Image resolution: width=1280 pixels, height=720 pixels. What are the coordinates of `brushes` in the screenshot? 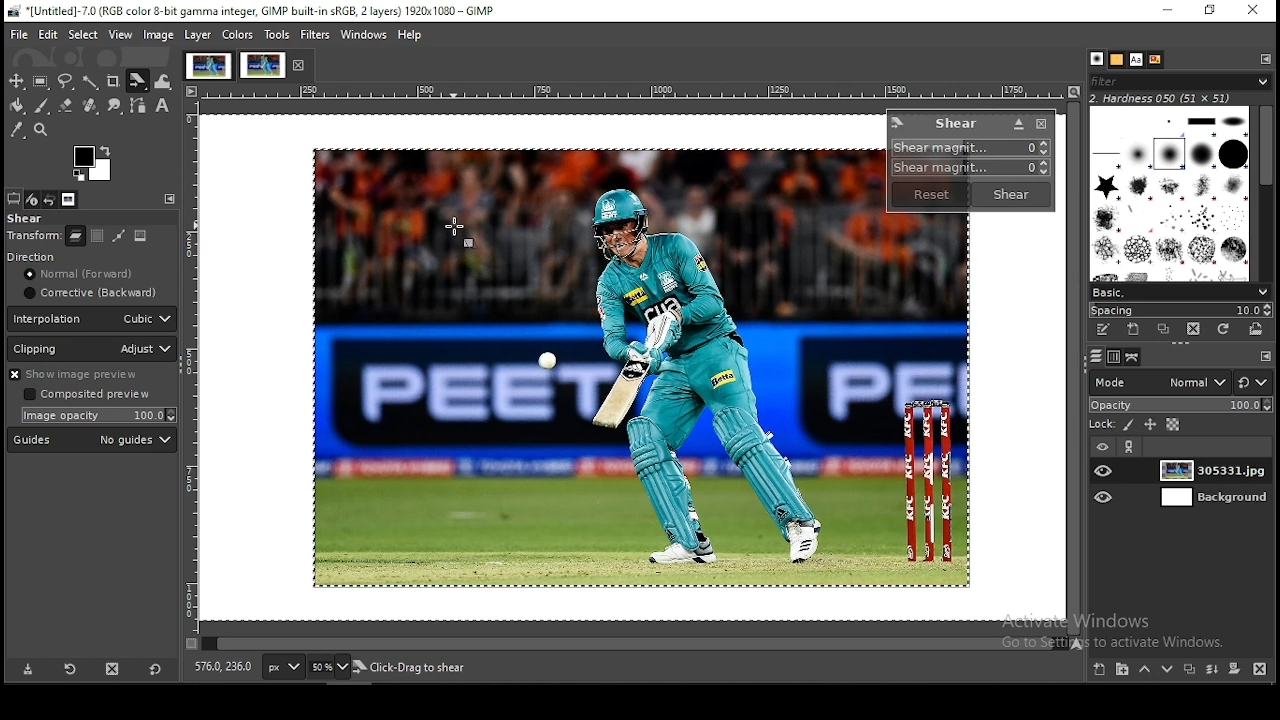 It's located at (1116, 60).